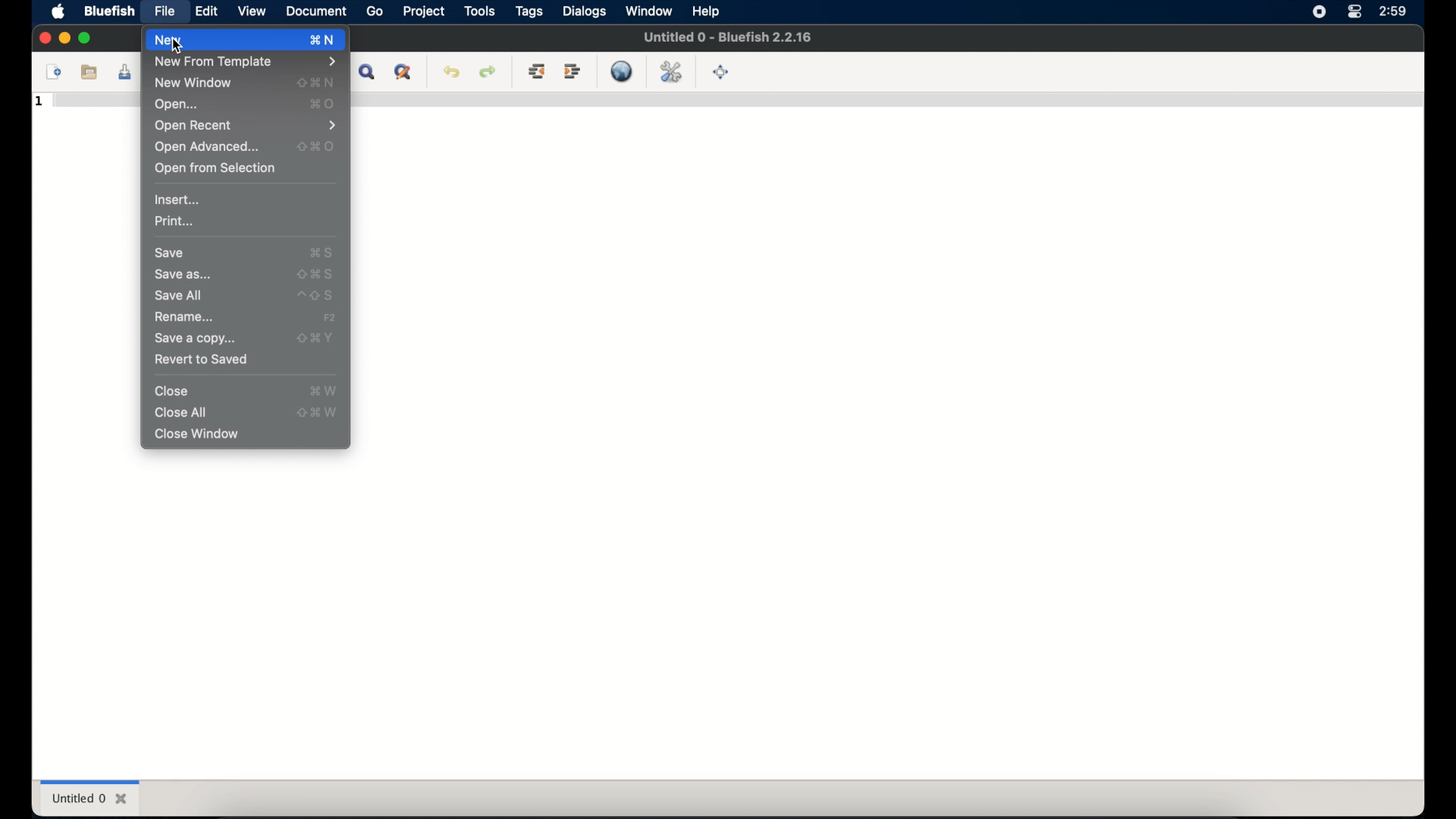 The height and width of the screenshot is (819, 1456). Describe the element at coordinates (215, 169) in the screenshot. I see `open from selection` at that location.